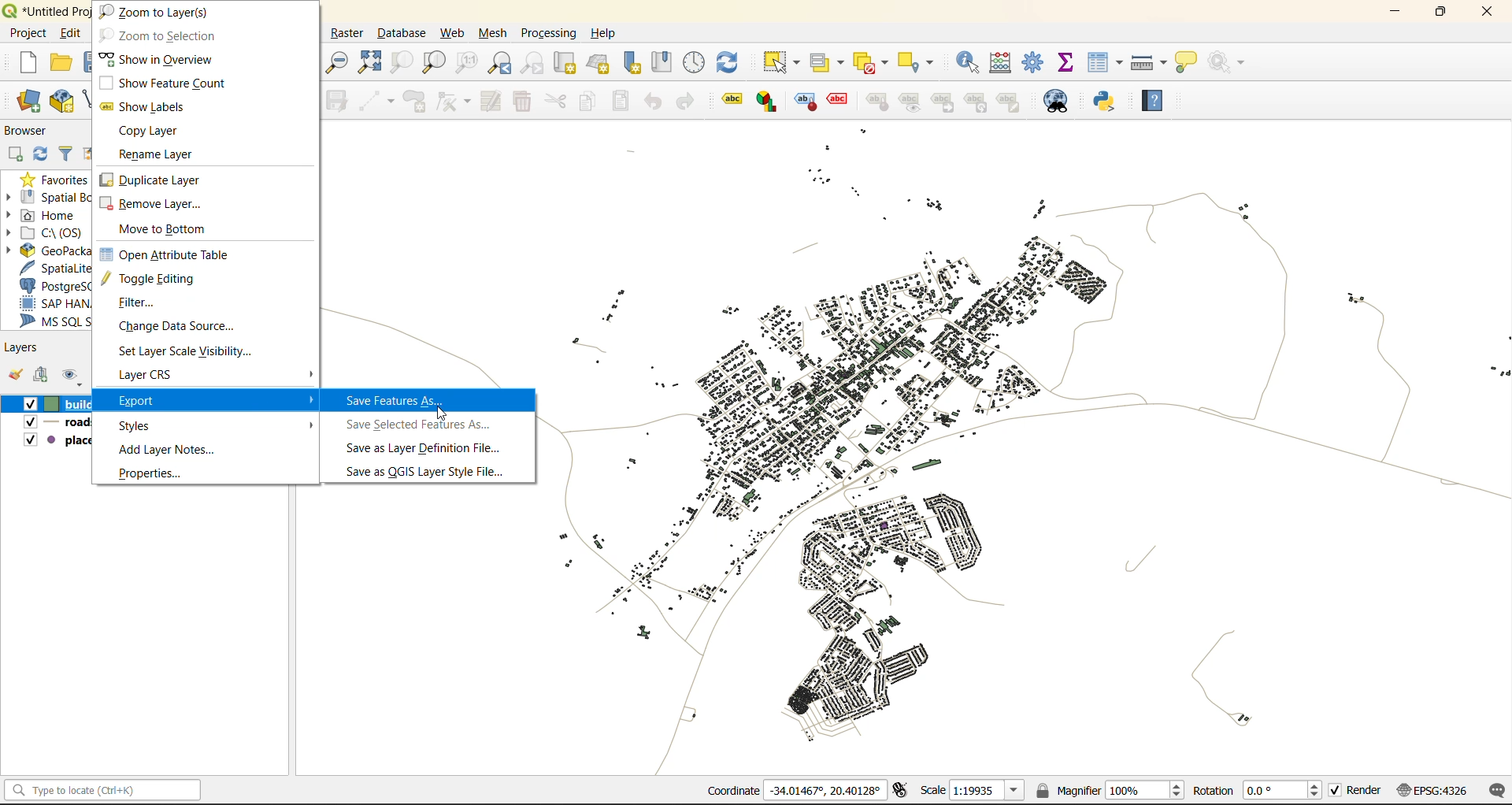 This screenshot has width=1512, height=805. Describe the element at coordinates (32, 102) in the screenshot. I see `open data source manager` at that location.